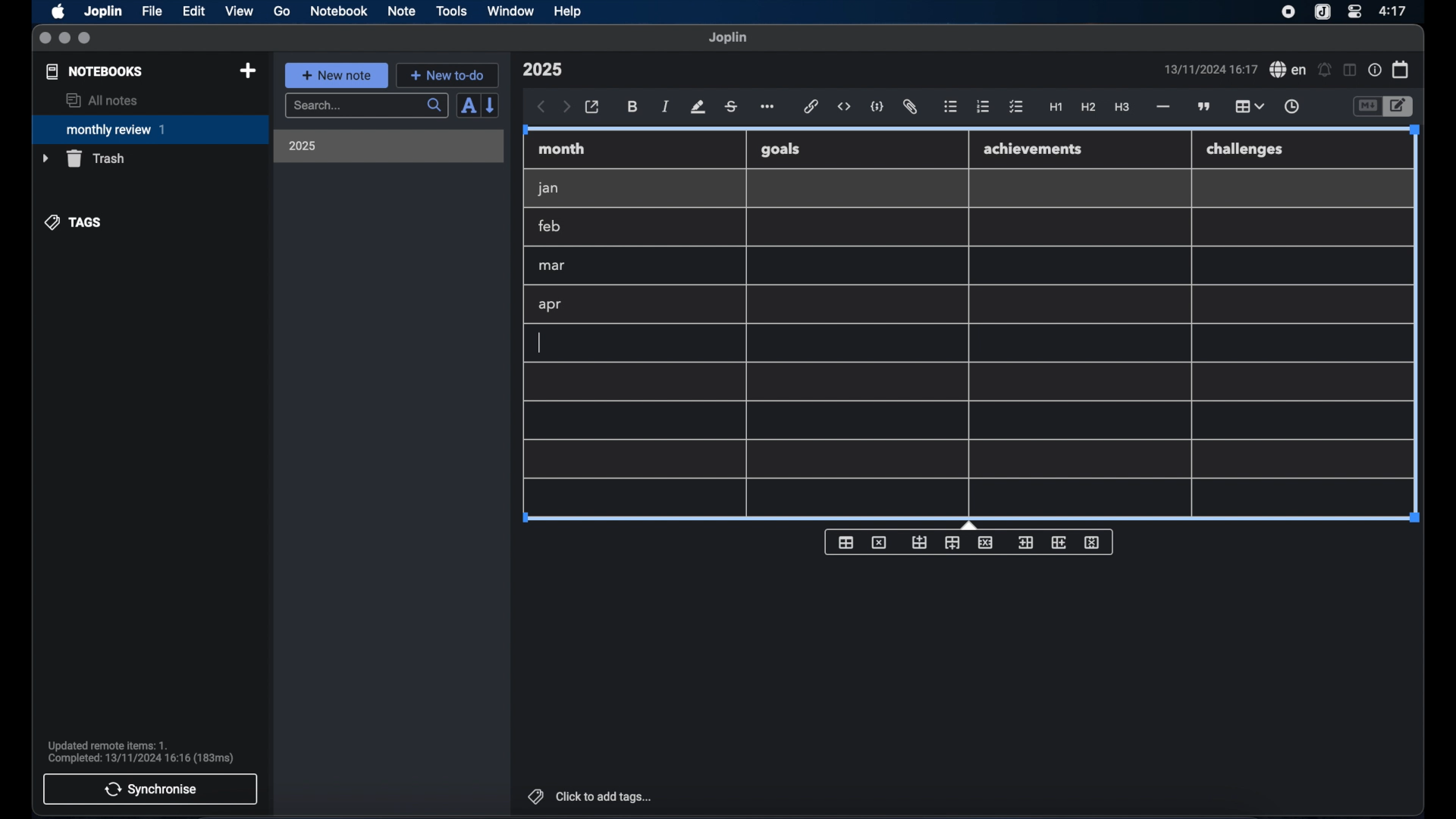 The height and width of the screenshot is (819, 1456). What do you see at coordinates (64, 39) in the screenshot?
I see `minimize` at bounding box center [64, 39].